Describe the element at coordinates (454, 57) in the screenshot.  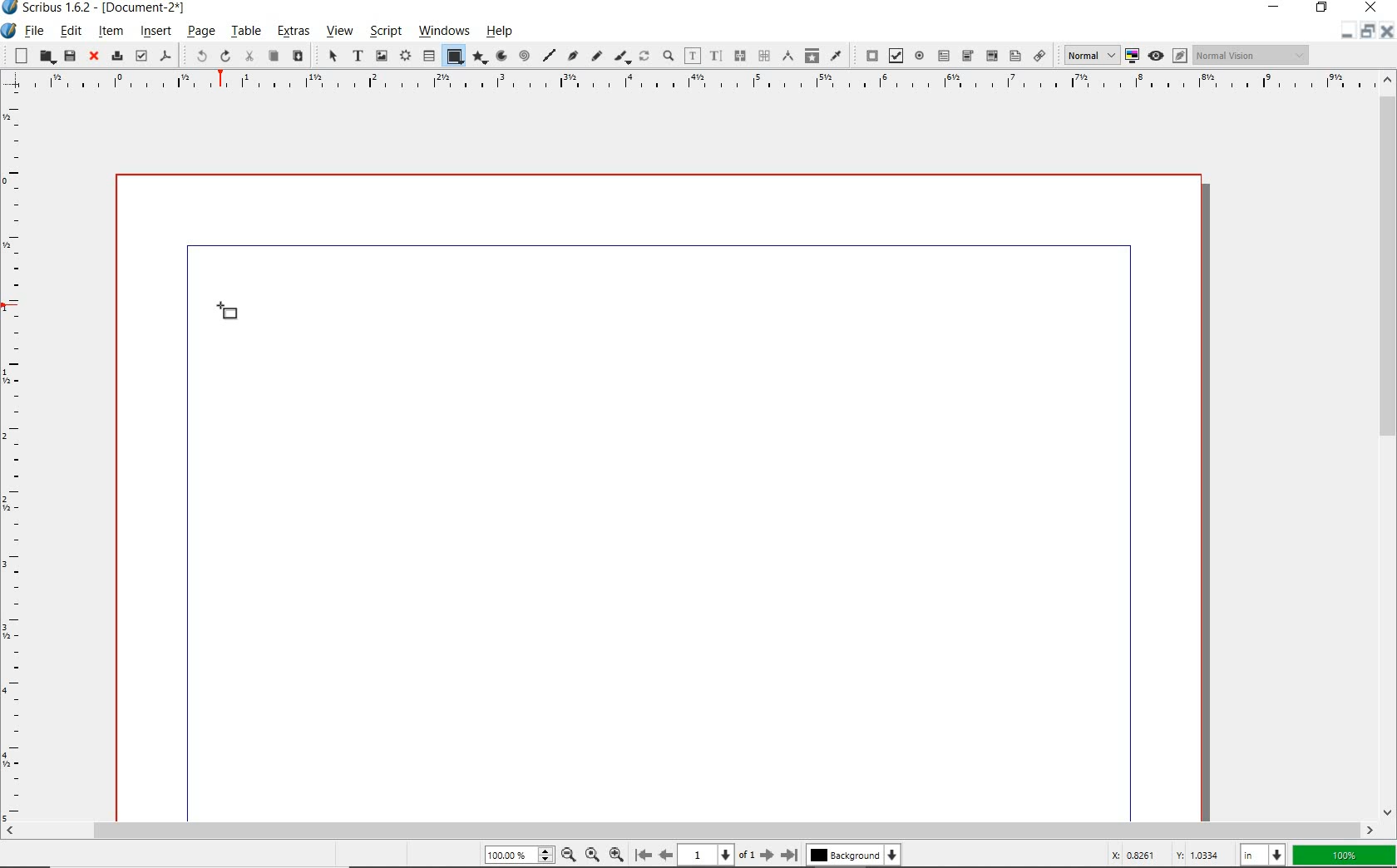
I see `shape` at that location.